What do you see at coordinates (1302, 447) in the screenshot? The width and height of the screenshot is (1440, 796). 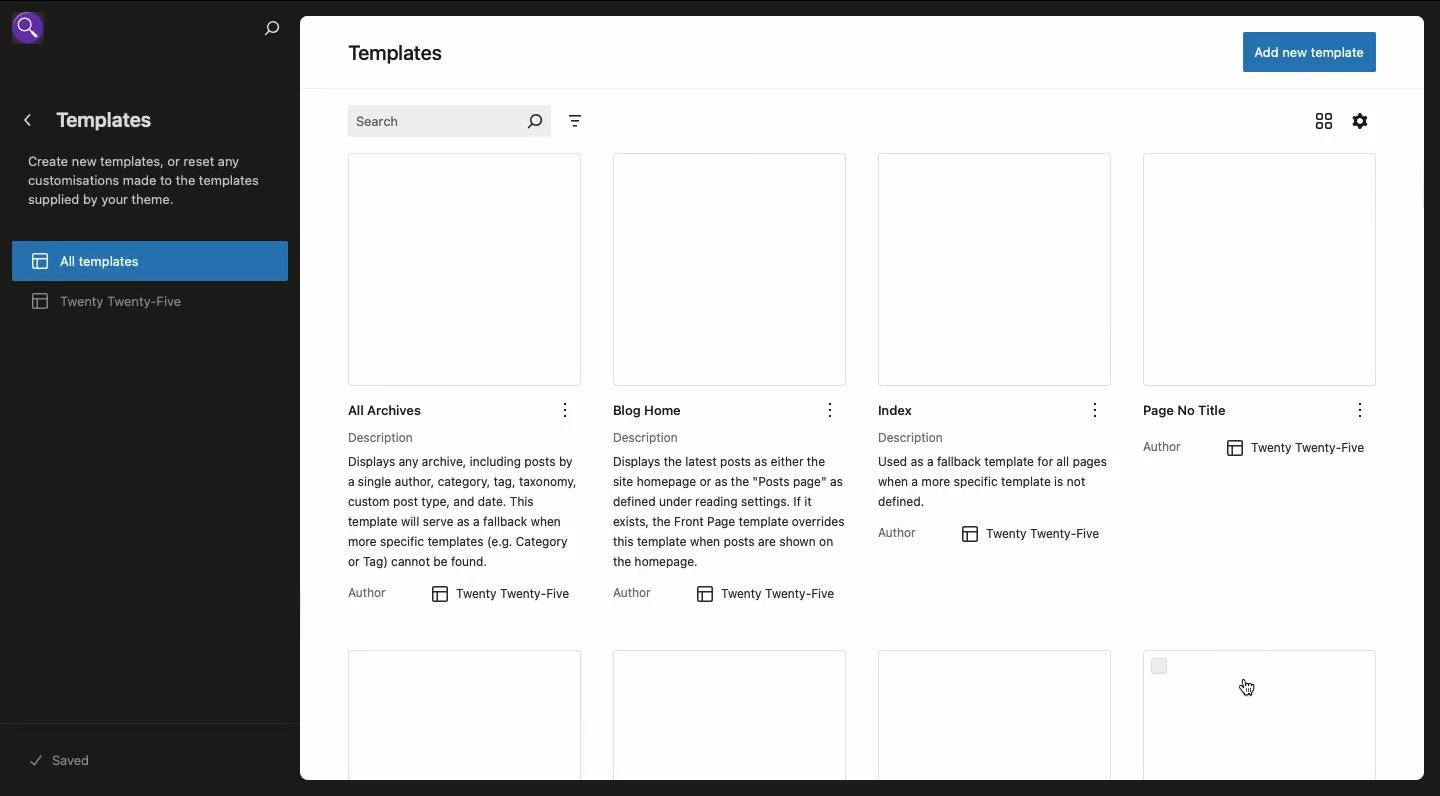 I see `twenty twenty five` at bounding box center [1302, 447].